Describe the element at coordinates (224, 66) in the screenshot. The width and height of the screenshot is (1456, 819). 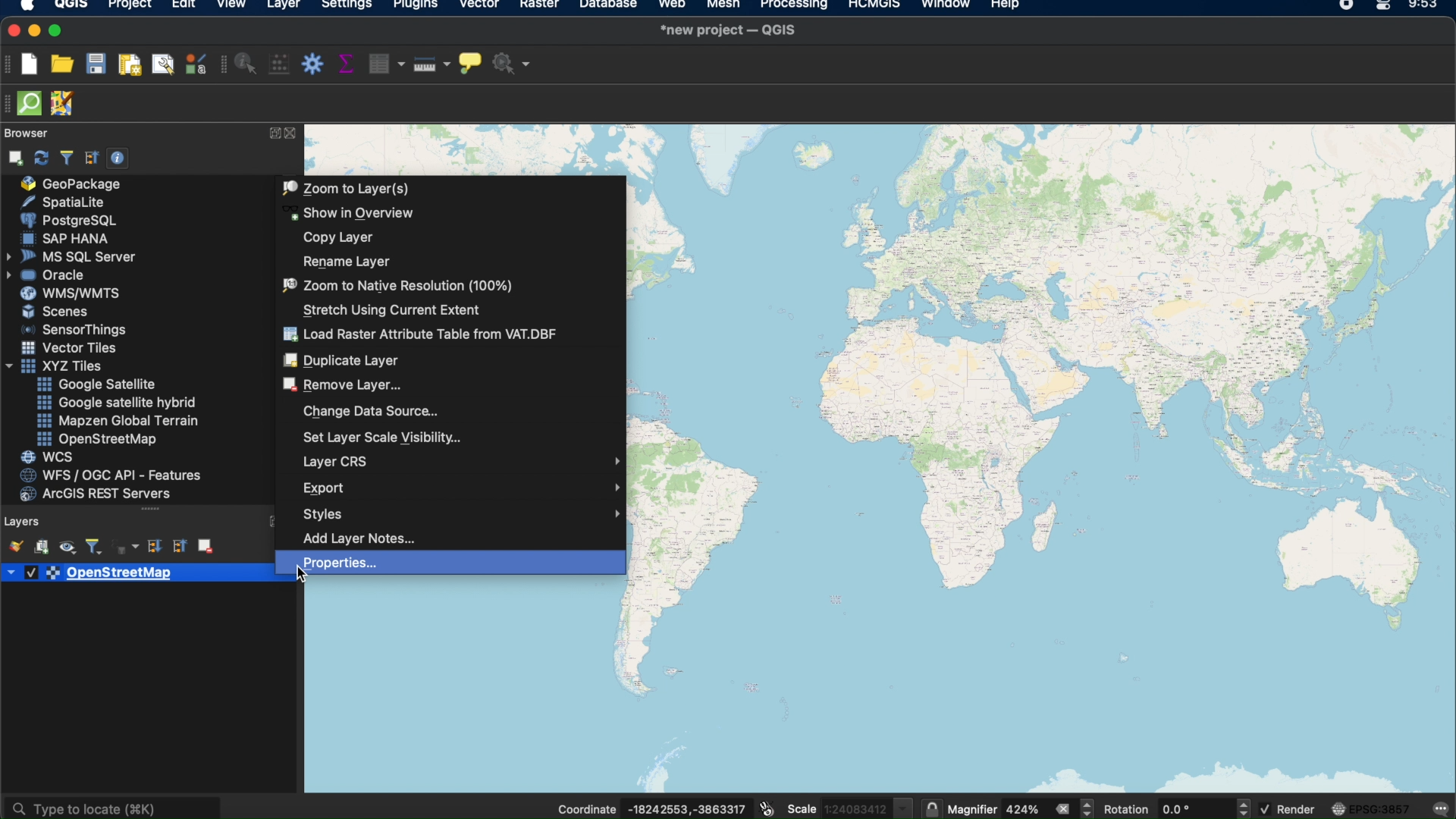
I see `attributes toolbar` at that location.